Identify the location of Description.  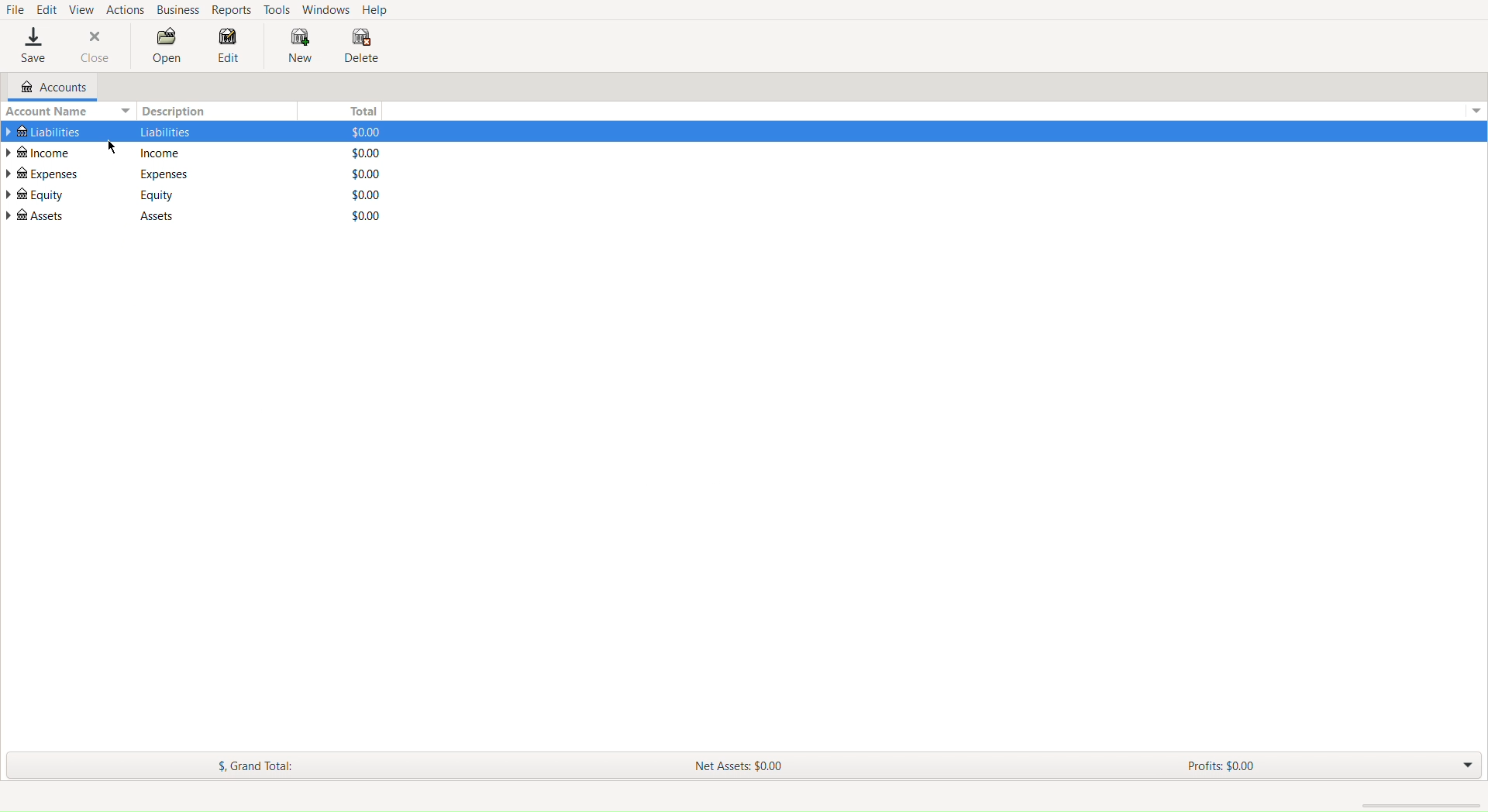
(174, 112).